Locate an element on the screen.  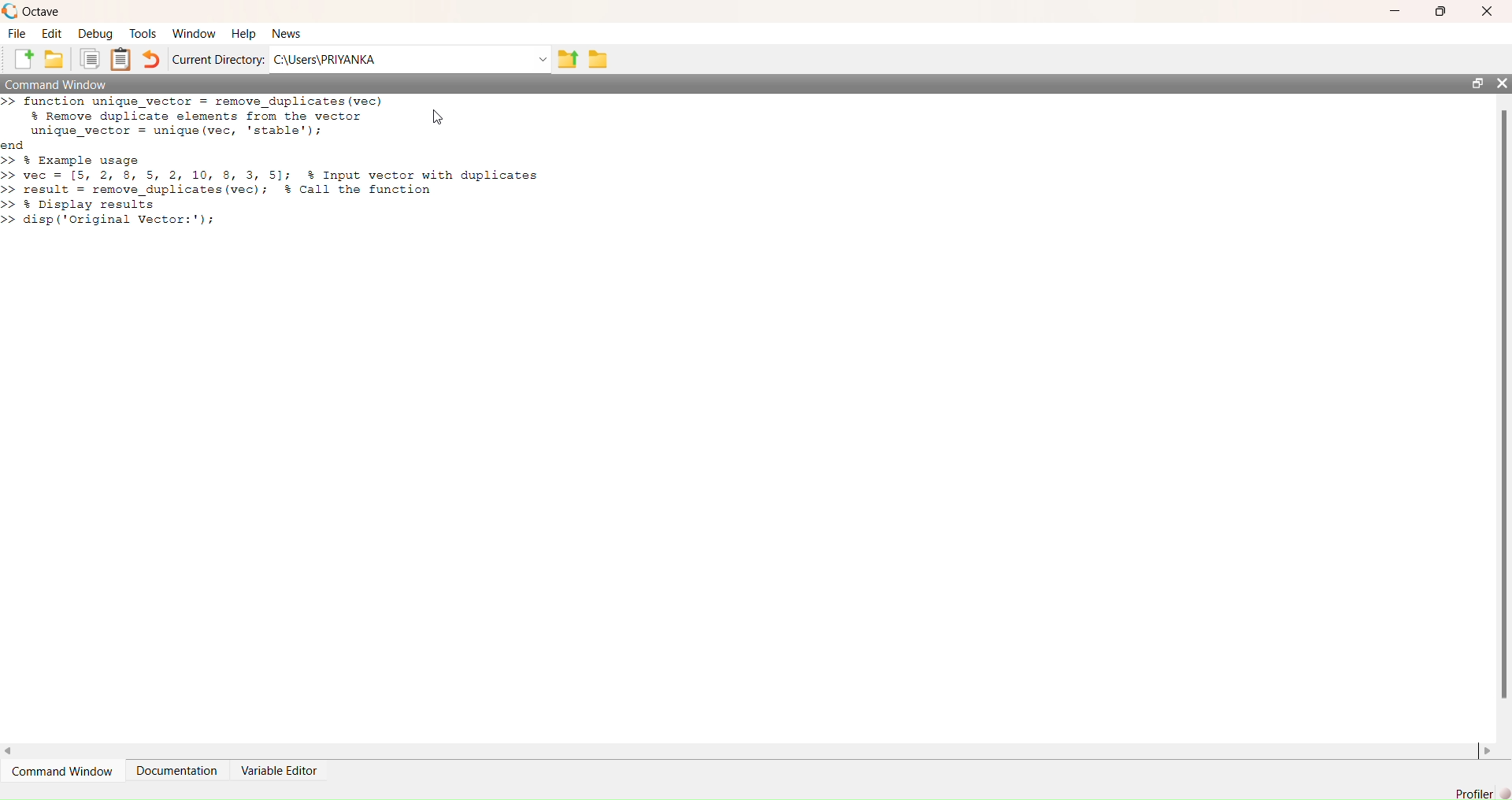
Clipboard  is located at coordinates (121, 59).